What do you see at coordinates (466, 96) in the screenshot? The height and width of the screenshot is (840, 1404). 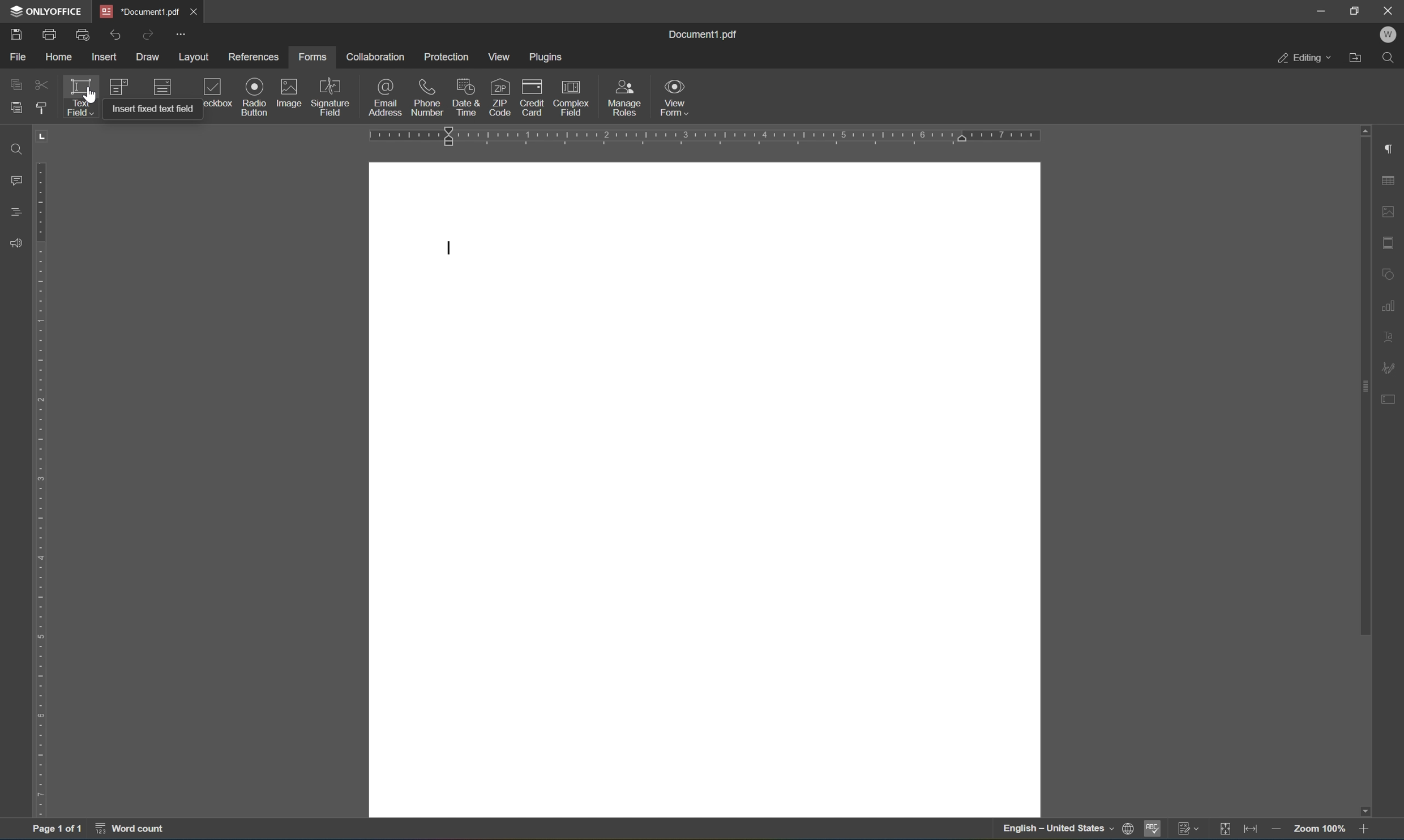 I see `date & time` at bounding box center [466, 96].